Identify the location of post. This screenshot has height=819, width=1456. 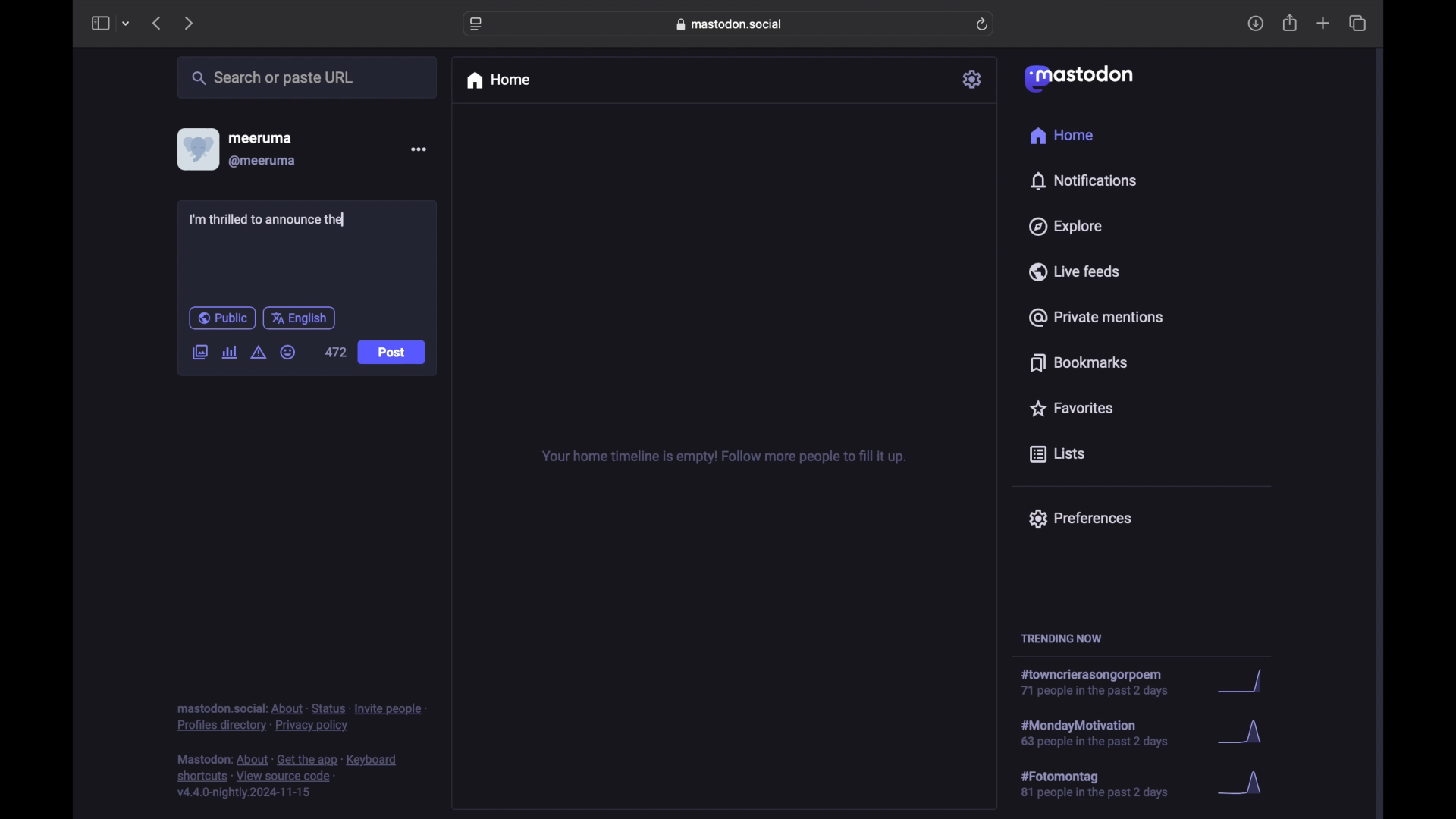
(391, 353).